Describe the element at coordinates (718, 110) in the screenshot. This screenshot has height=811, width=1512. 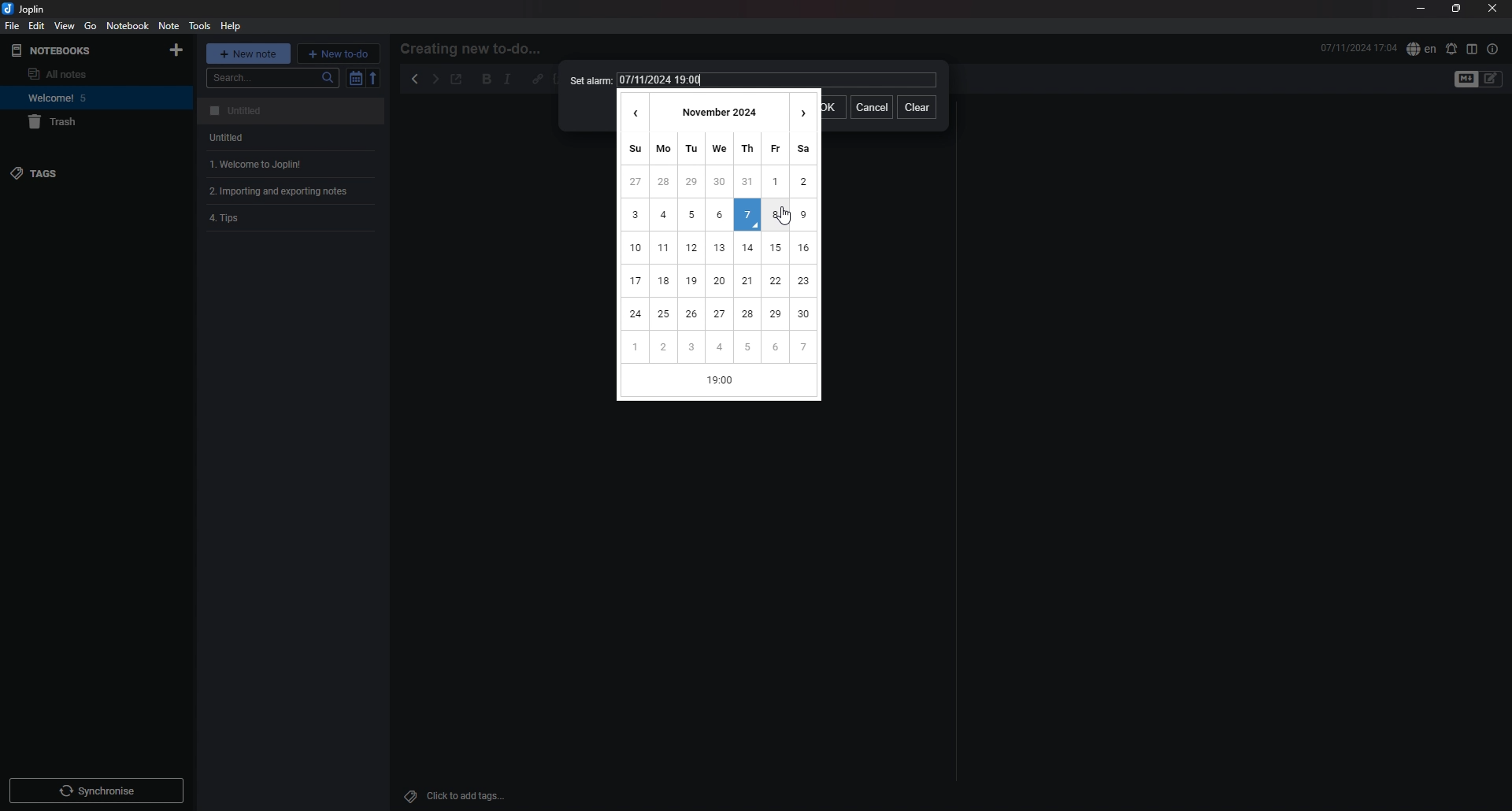
I see `month` at that location.